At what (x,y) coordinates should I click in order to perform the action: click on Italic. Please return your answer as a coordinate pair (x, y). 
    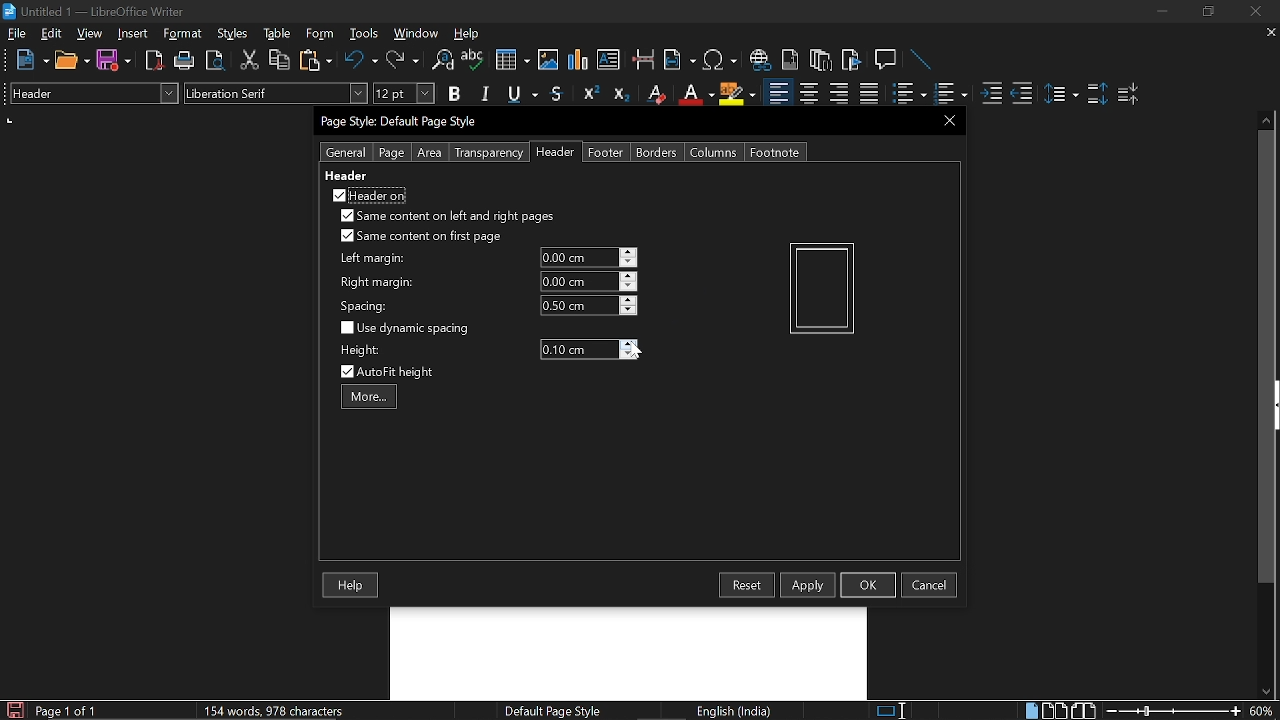
    Looking at the image, I should click on (486, 94).